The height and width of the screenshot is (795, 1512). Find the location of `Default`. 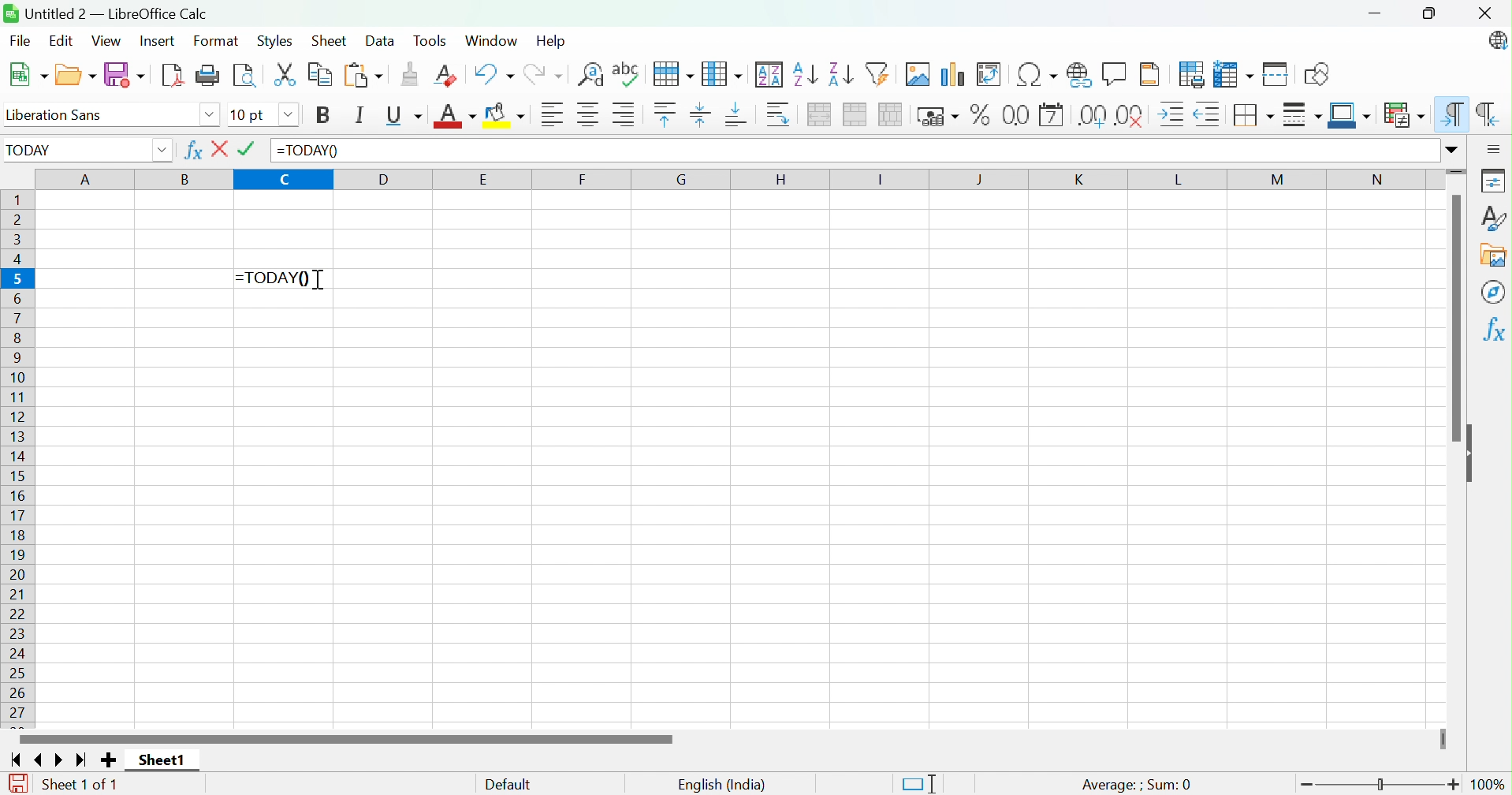

Default is located at coordinates (509, 785).